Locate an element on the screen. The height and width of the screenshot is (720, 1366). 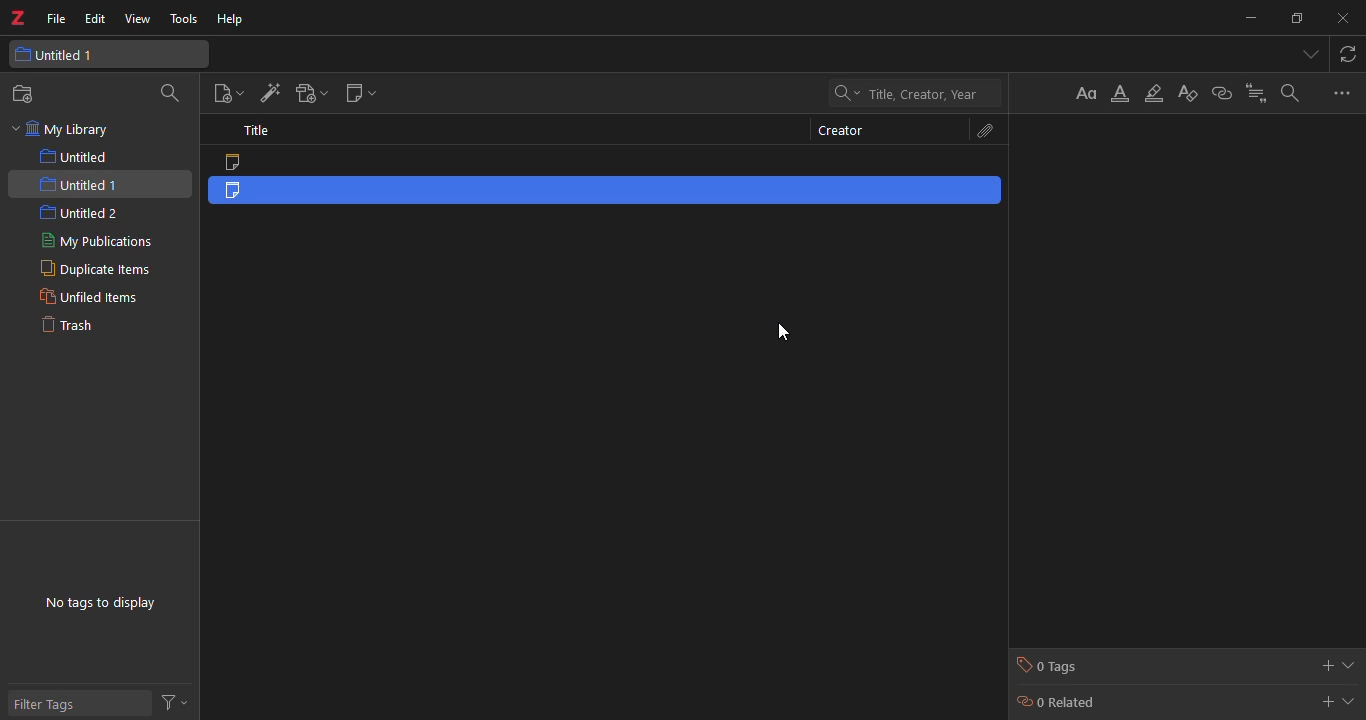
no tags to display is located at coordinates (109, 605).